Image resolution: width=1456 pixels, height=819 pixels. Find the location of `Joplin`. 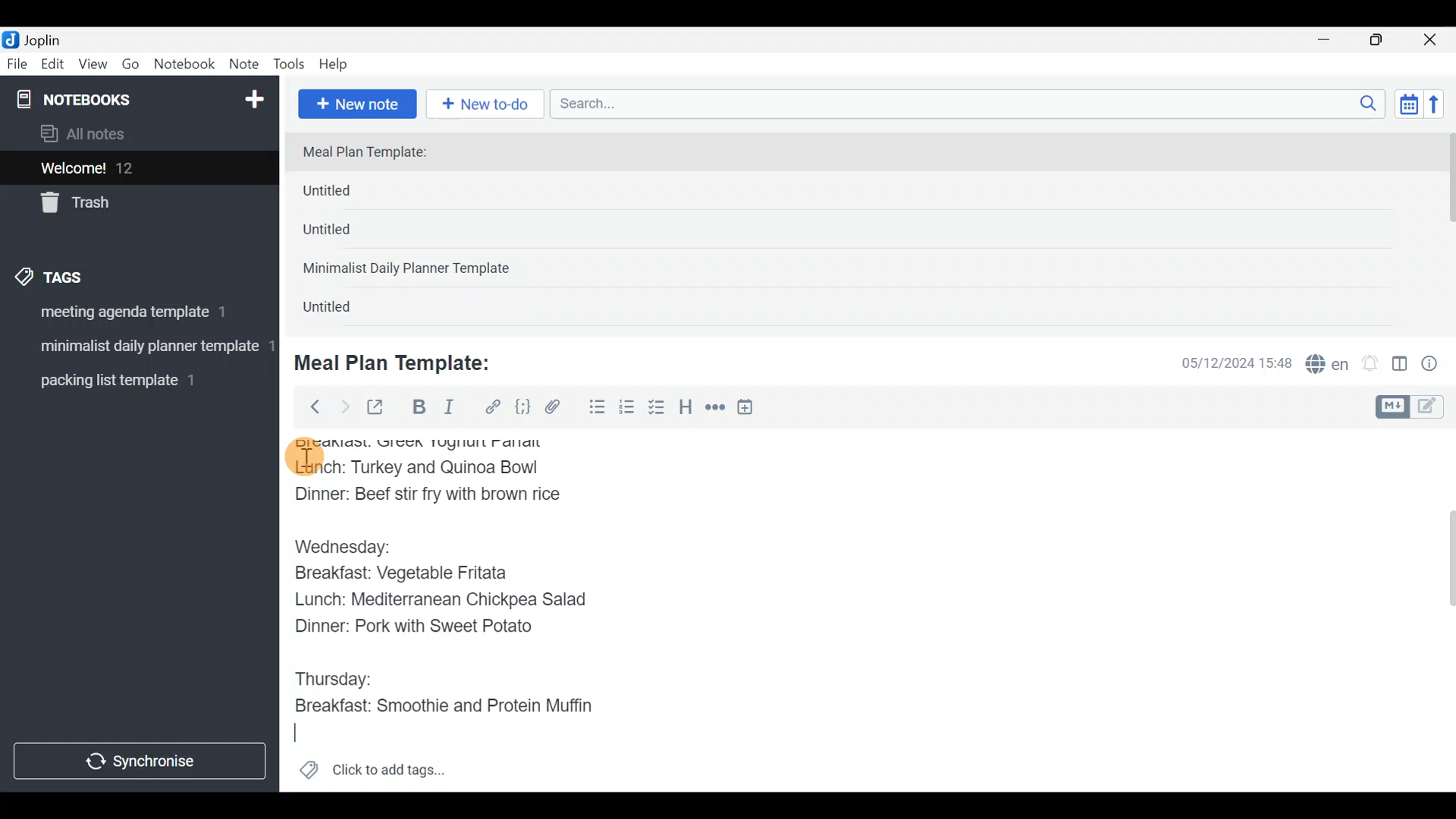

Joplin is located at coordinates (52, 38).